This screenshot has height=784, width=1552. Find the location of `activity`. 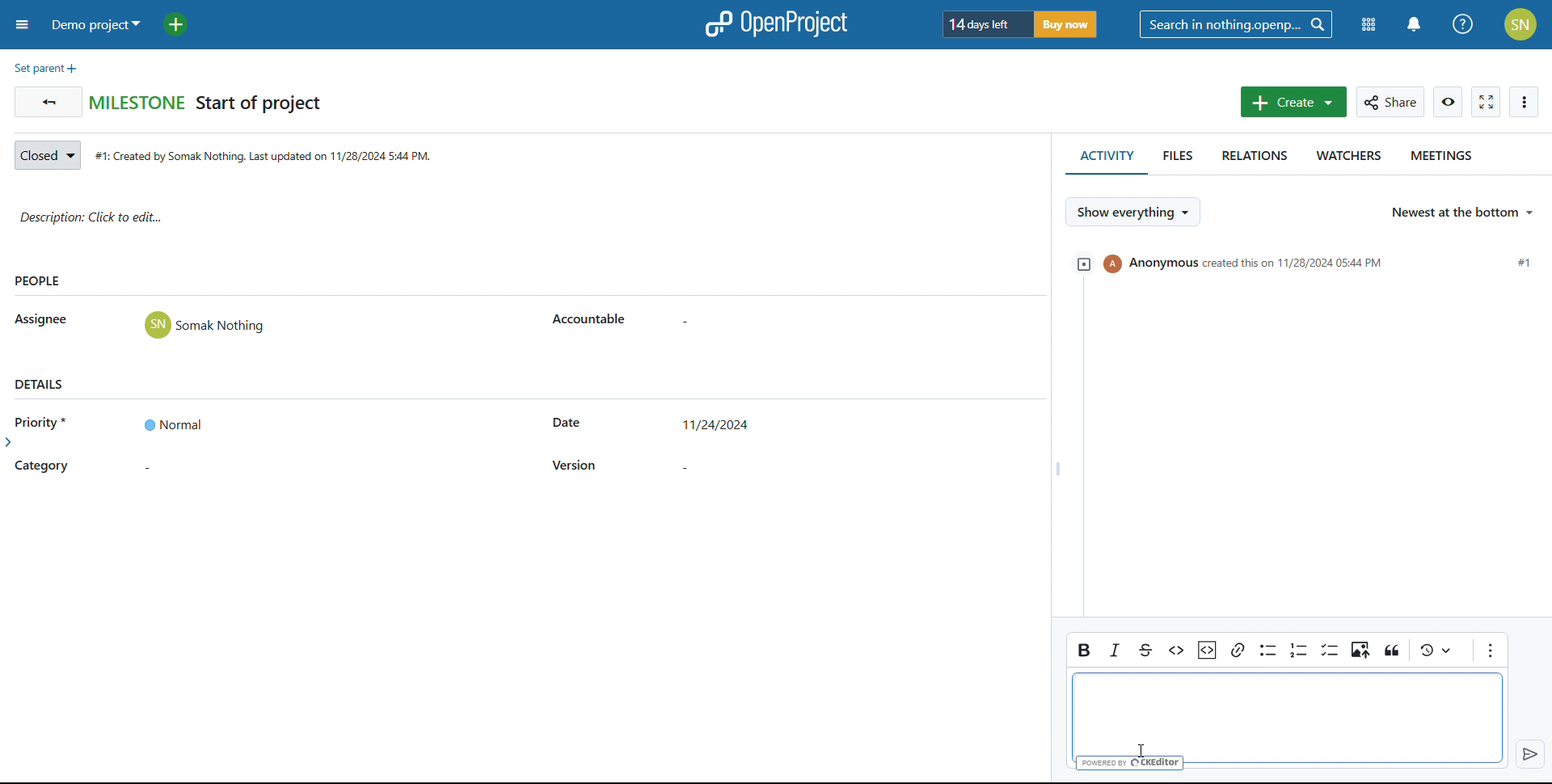

activity is located at coordinates (1104, 159).